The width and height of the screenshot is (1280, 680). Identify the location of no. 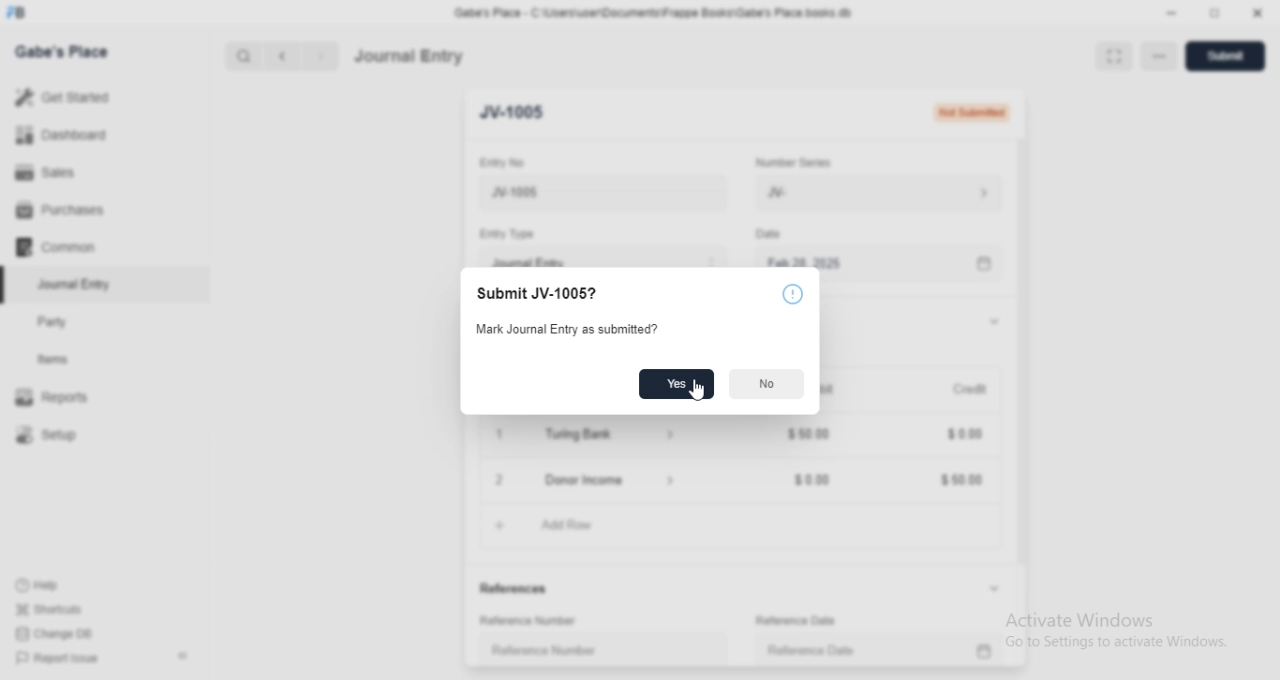
(767, 384).